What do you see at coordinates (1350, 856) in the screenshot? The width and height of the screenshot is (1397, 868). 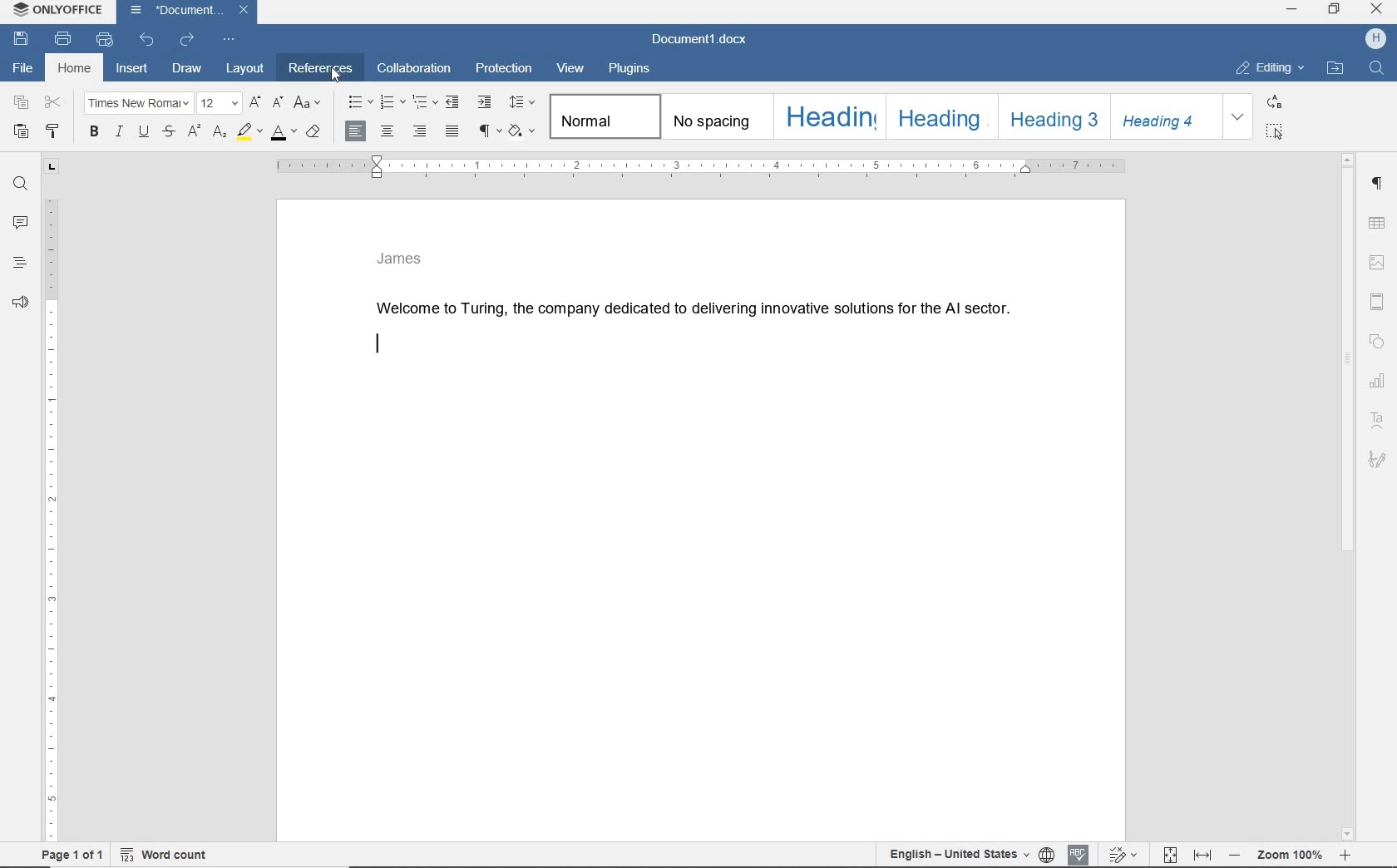 I see `zoom in` at bounding box center [1350, 856].